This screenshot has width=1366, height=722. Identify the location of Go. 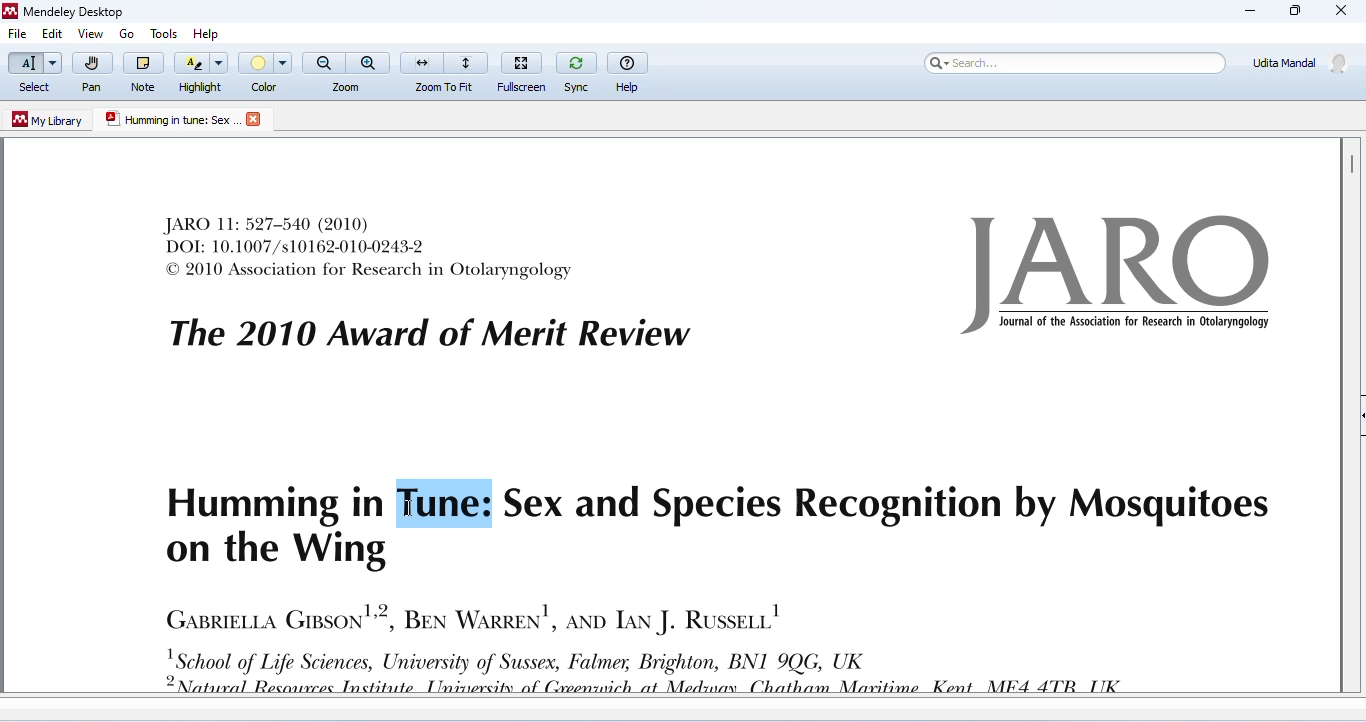
(129, 34).